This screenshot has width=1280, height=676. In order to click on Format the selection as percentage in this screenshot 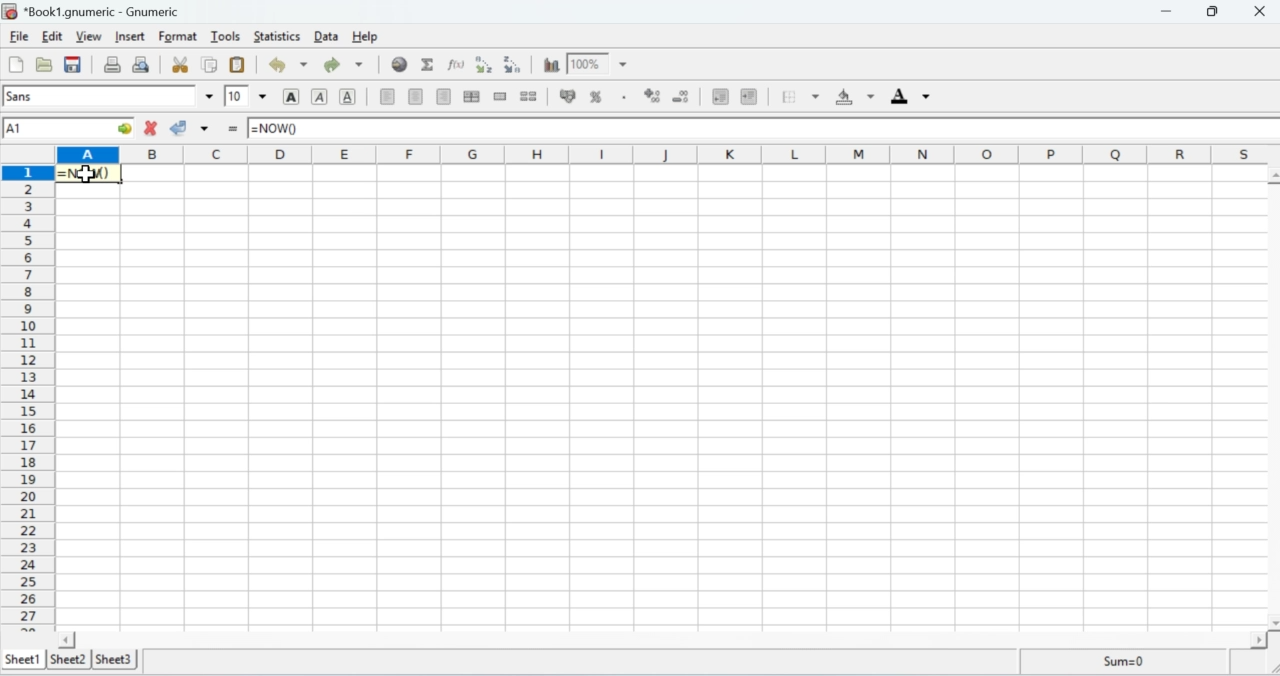, I will do `click(609, 96)`.